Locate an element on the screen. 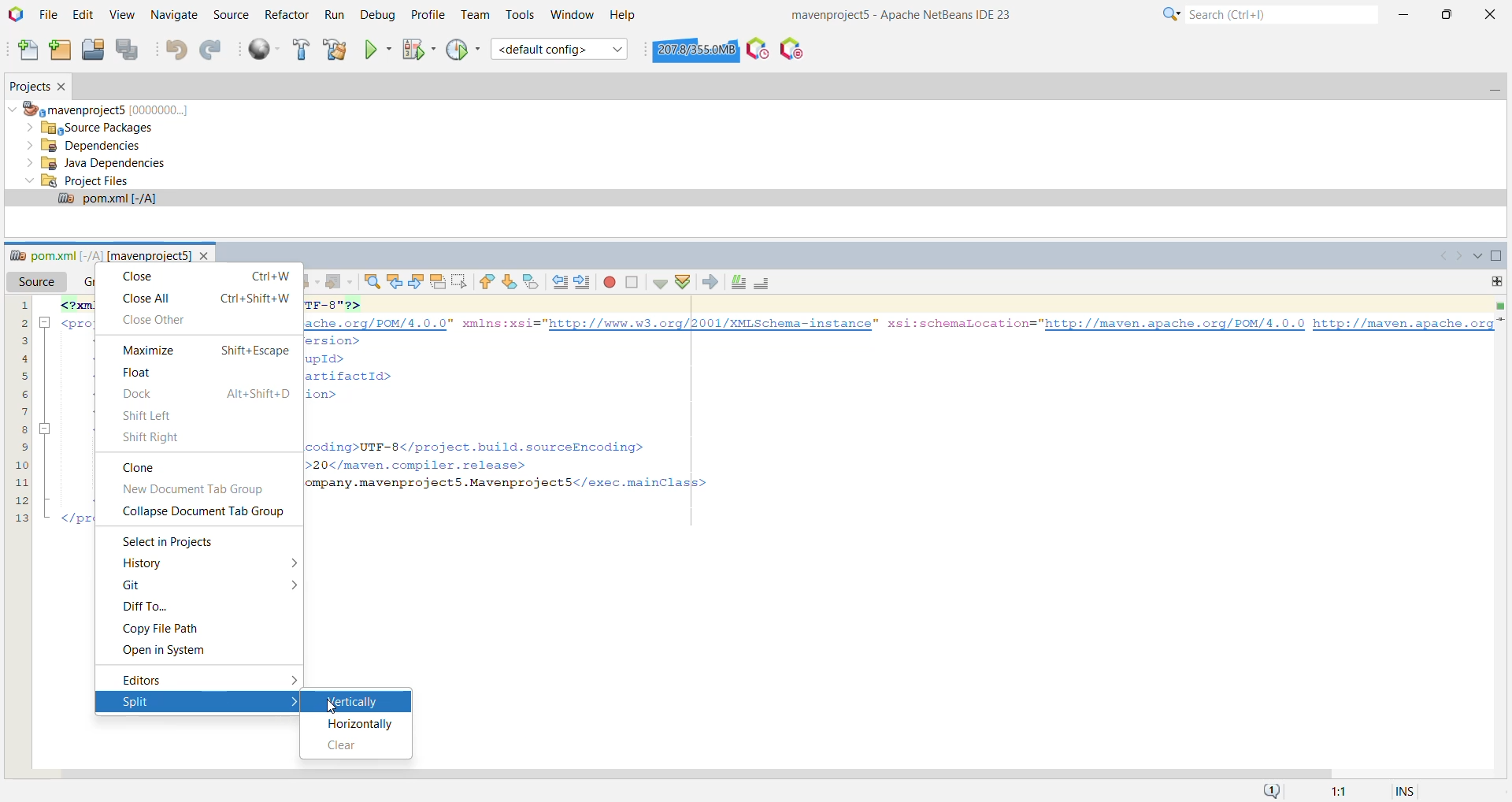 This screenshot has width=1512, height=802. Minimize Projects Window is located at coordinates (1492, 87).